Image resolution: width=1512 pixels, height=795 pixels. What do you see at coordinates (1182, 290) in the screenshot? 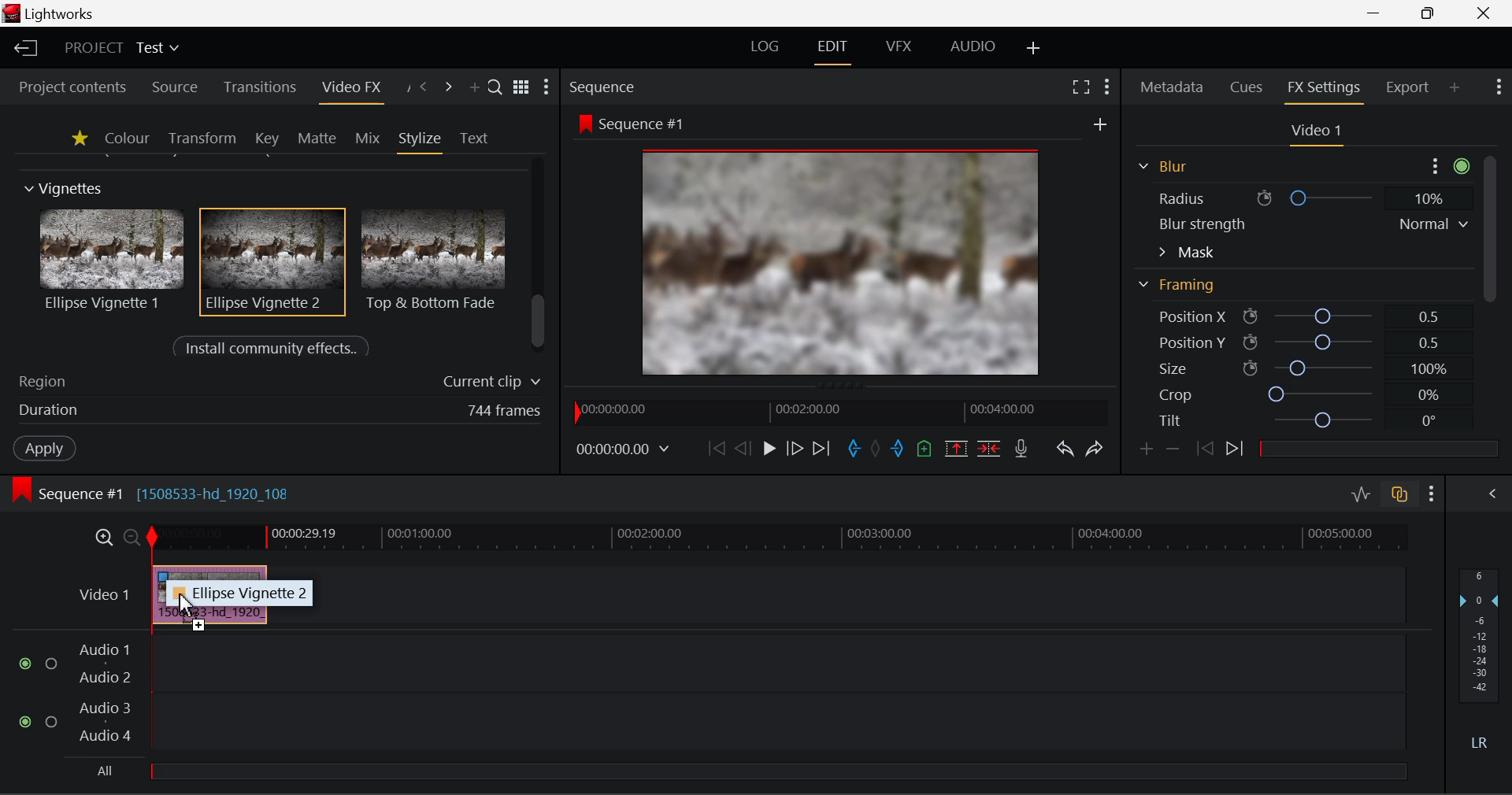
I see `Framing Section` at bounding box center [1182, 290].